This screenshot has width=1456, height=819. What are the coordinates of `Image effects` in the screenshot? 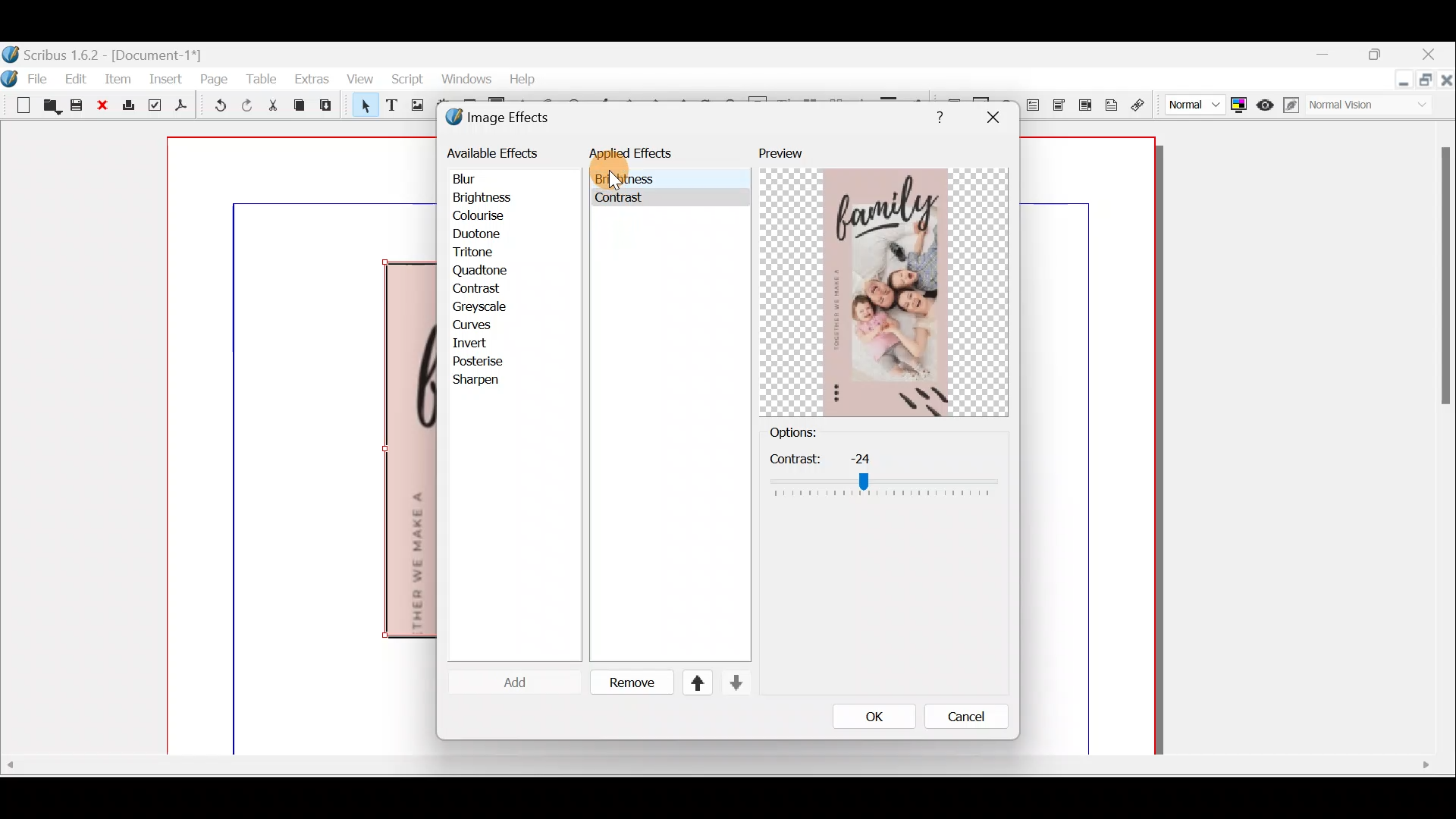 It's located at (507, 119).